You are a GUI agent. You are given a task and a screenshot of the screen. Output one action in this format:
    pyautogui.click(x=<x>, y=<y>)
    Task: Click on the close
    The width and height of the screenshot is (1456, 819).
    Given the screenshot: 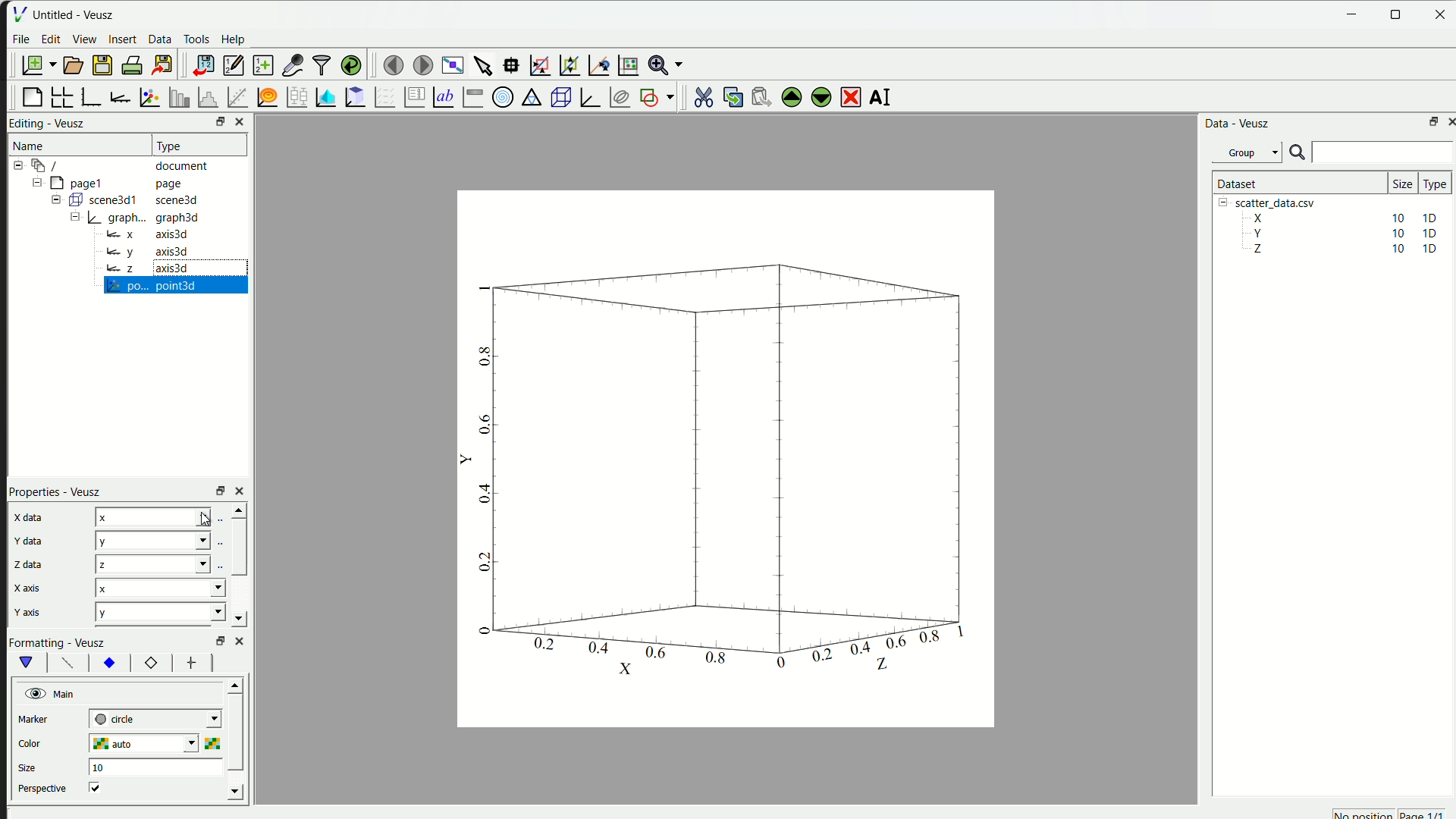 What is the action you would take?
    pyautogui.click(x=242, y=491)
    